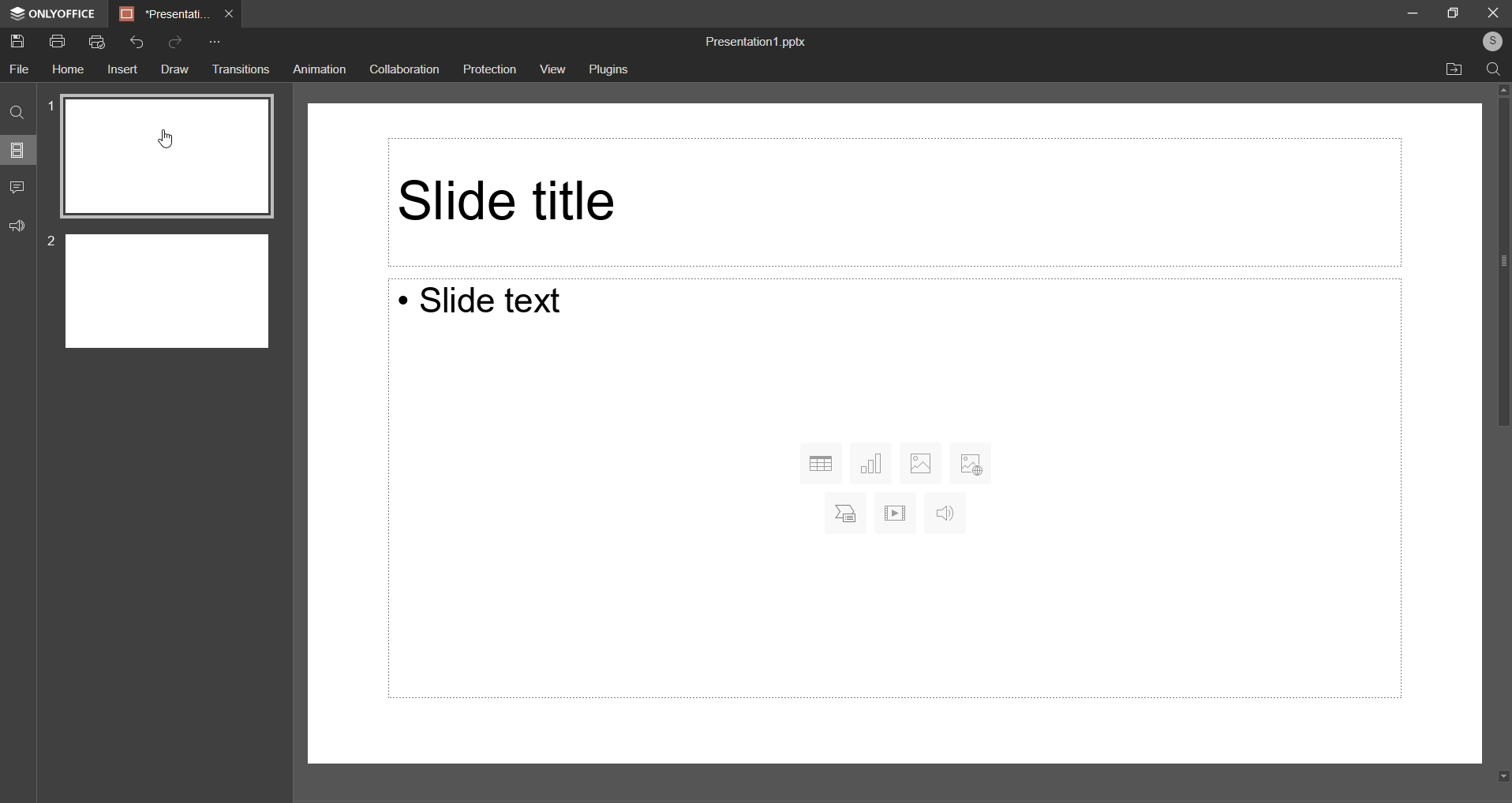 The image size is (1512, 803). What do you see at coordinates (173, 69) in the screenshot?
I see `Draw` at bounding box center [173, 69].